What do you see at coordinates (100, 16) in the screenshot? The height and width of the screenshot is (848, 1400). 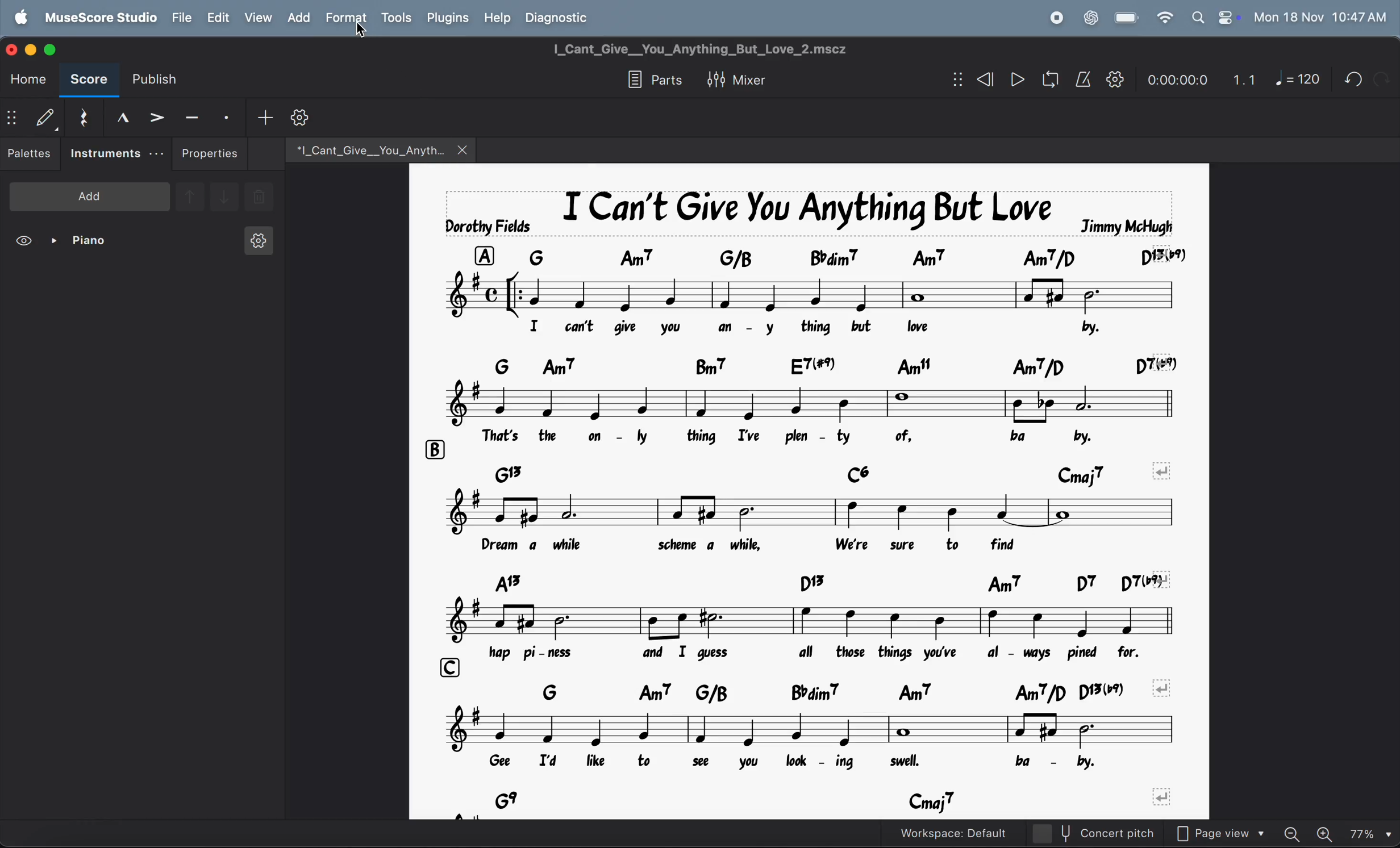 I see `muse score studio` at bounding box center [100, 16].